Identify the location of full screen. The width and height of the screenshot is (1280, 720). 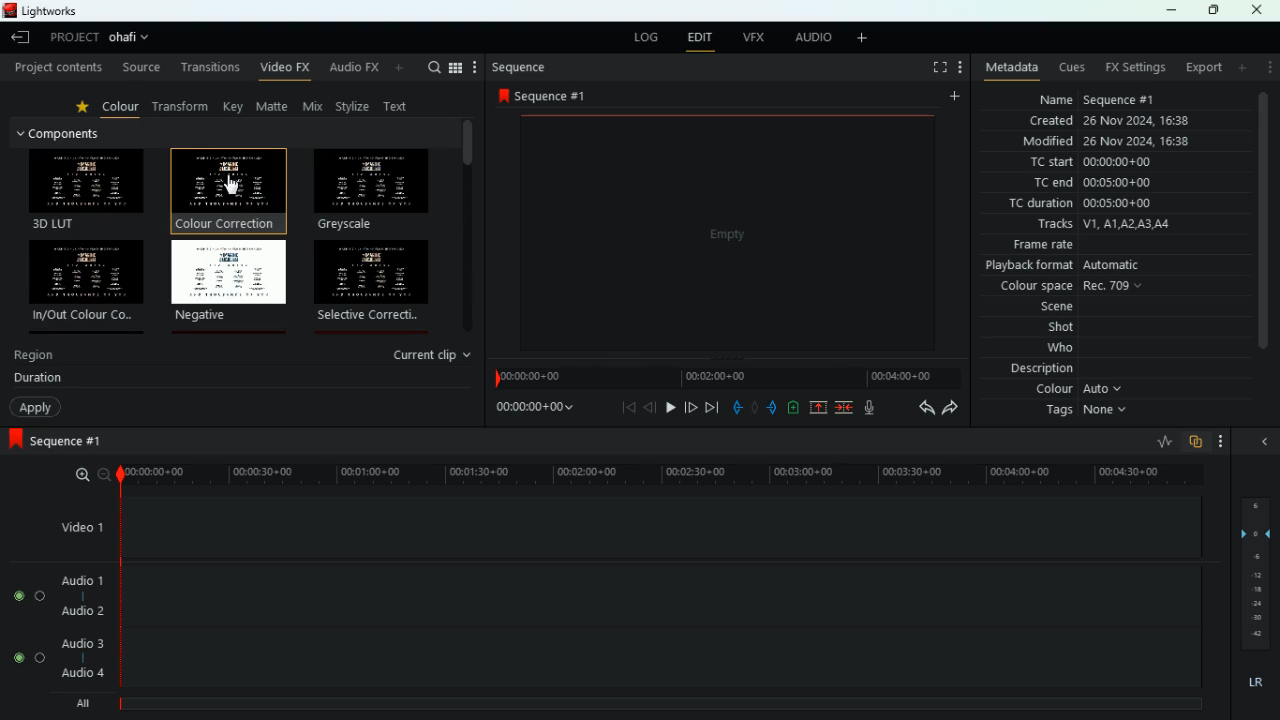
(937, 67).